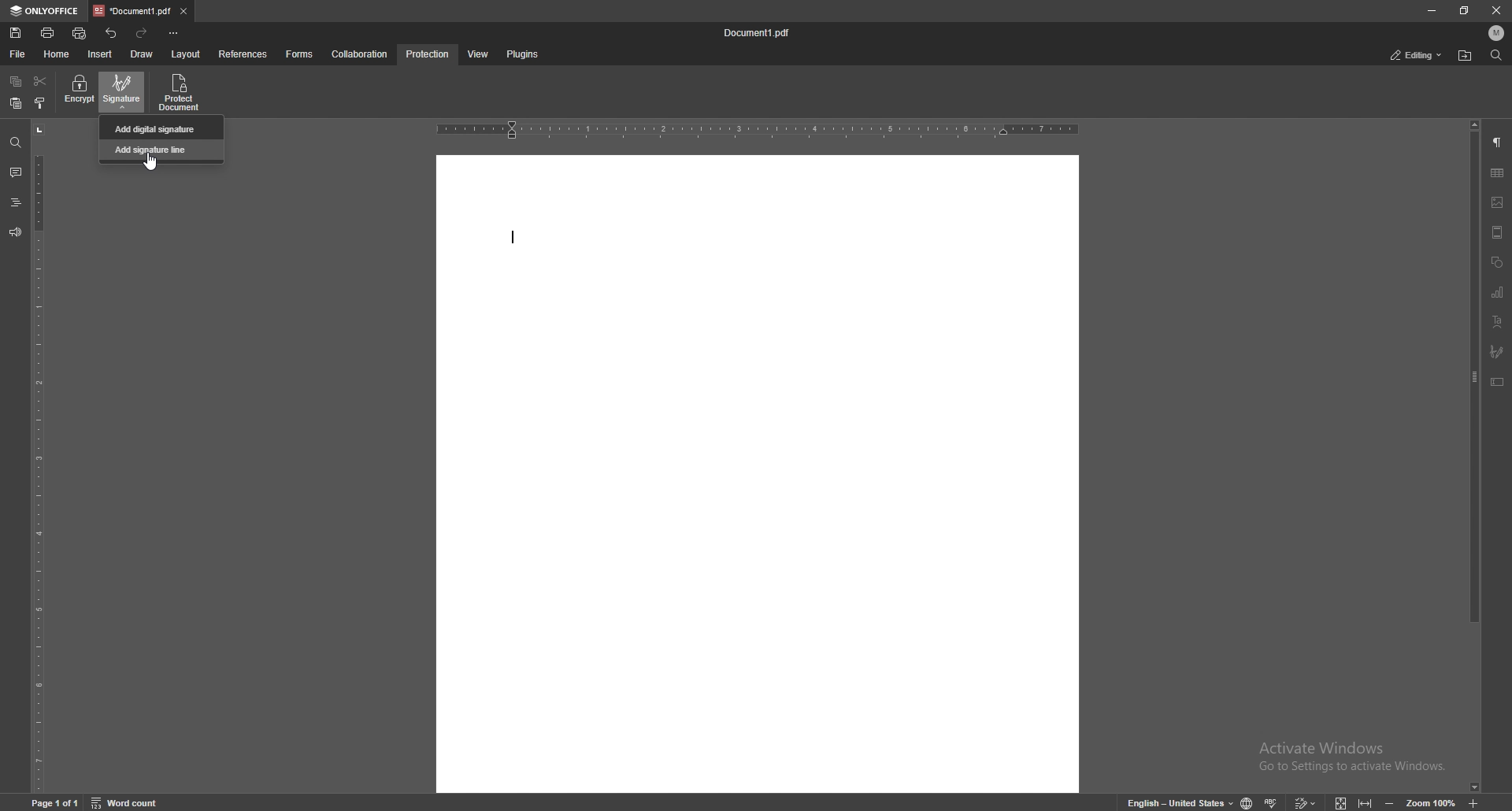 The image size is (1512, 811). What do you see at coordinates (475, 55) in the screenshot?
I see `view` at bounding box center [475, 55].